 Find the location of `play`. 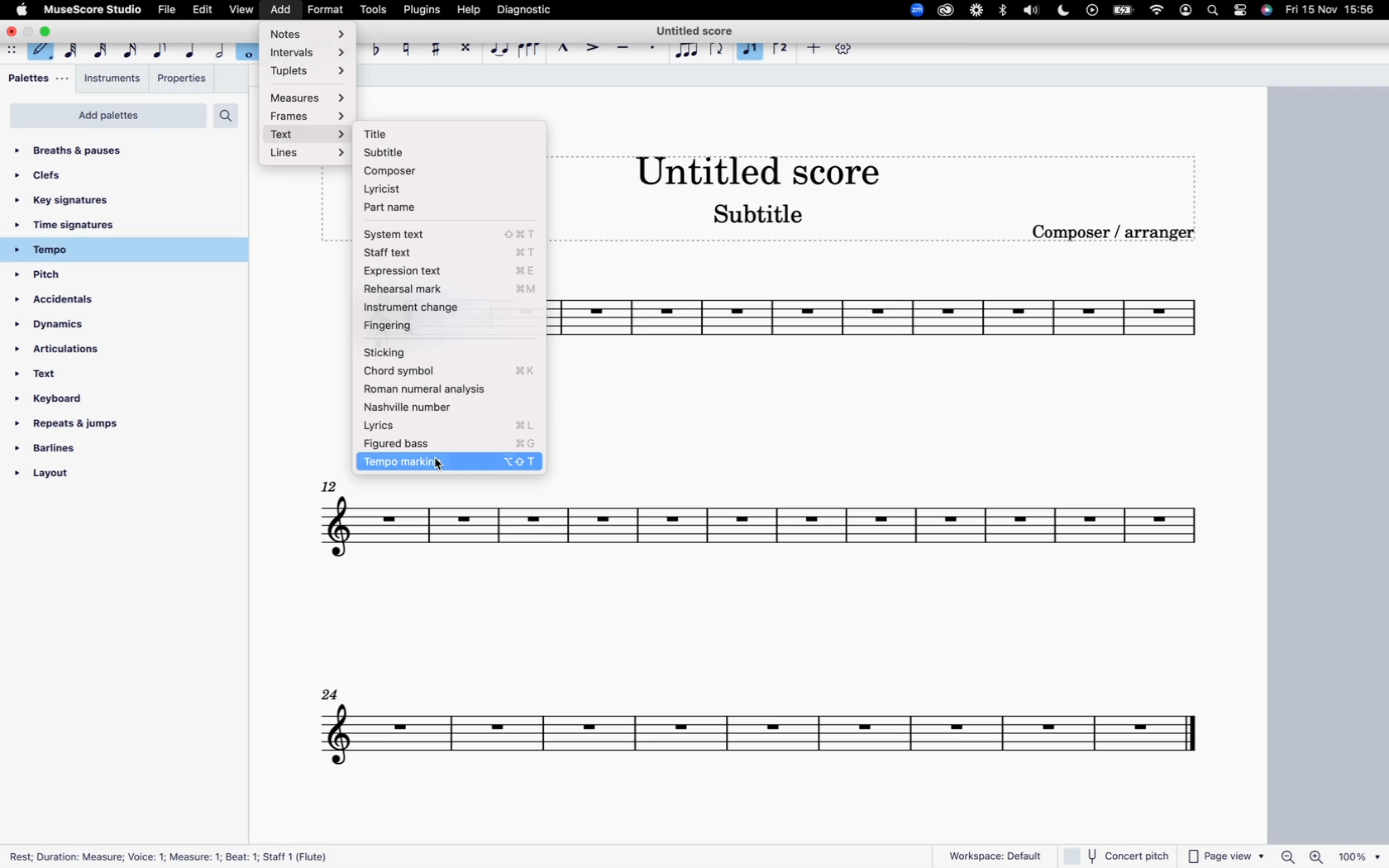

play is located at coordinates (1092, 12).